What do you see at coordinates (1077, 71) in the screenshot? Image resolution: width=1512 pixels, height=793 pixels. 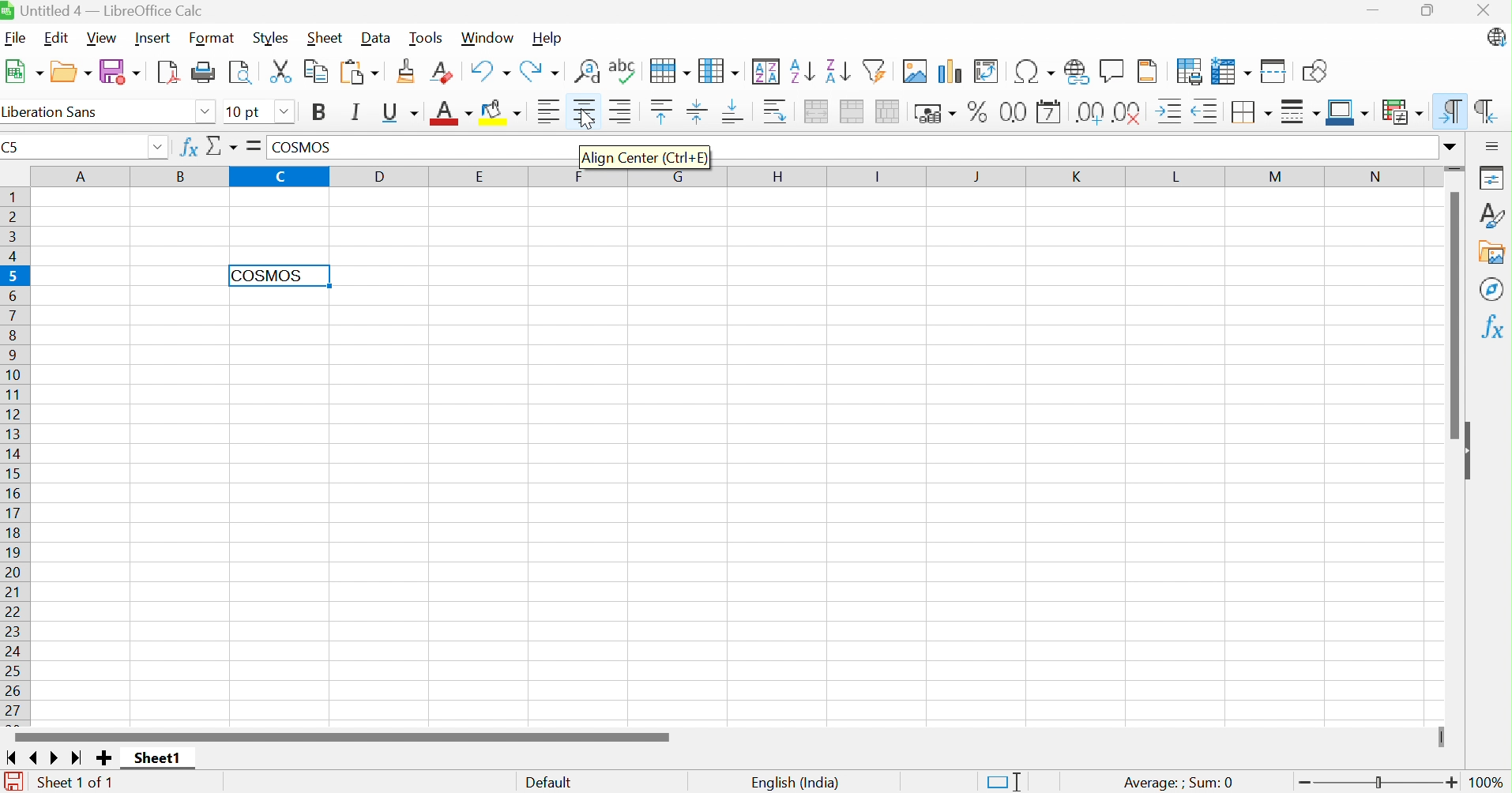 I see `Insert Hyperlink` at bounding box center [1077, 71].